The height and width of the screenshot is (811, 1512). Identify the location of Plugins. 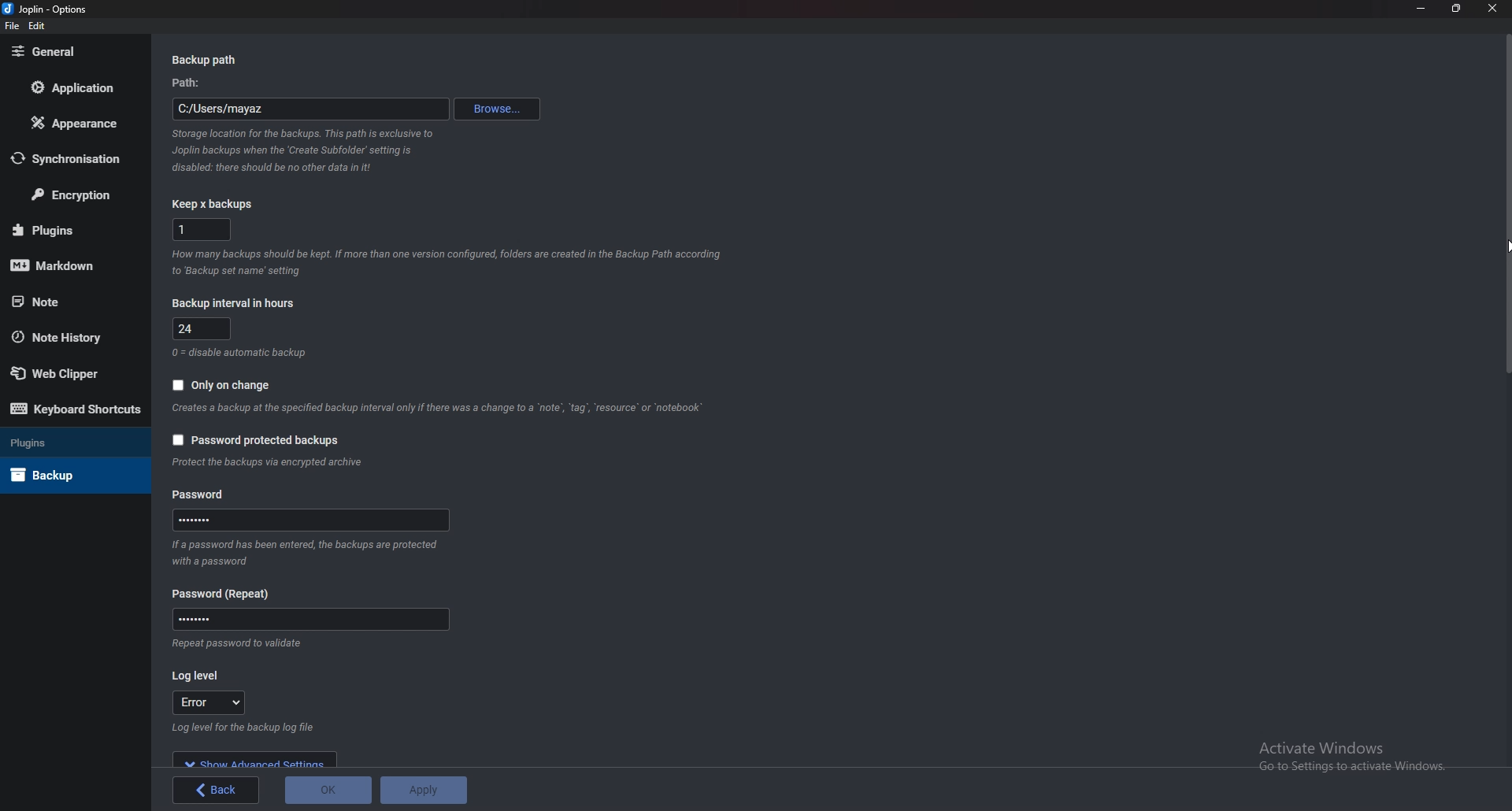
(61, 442).